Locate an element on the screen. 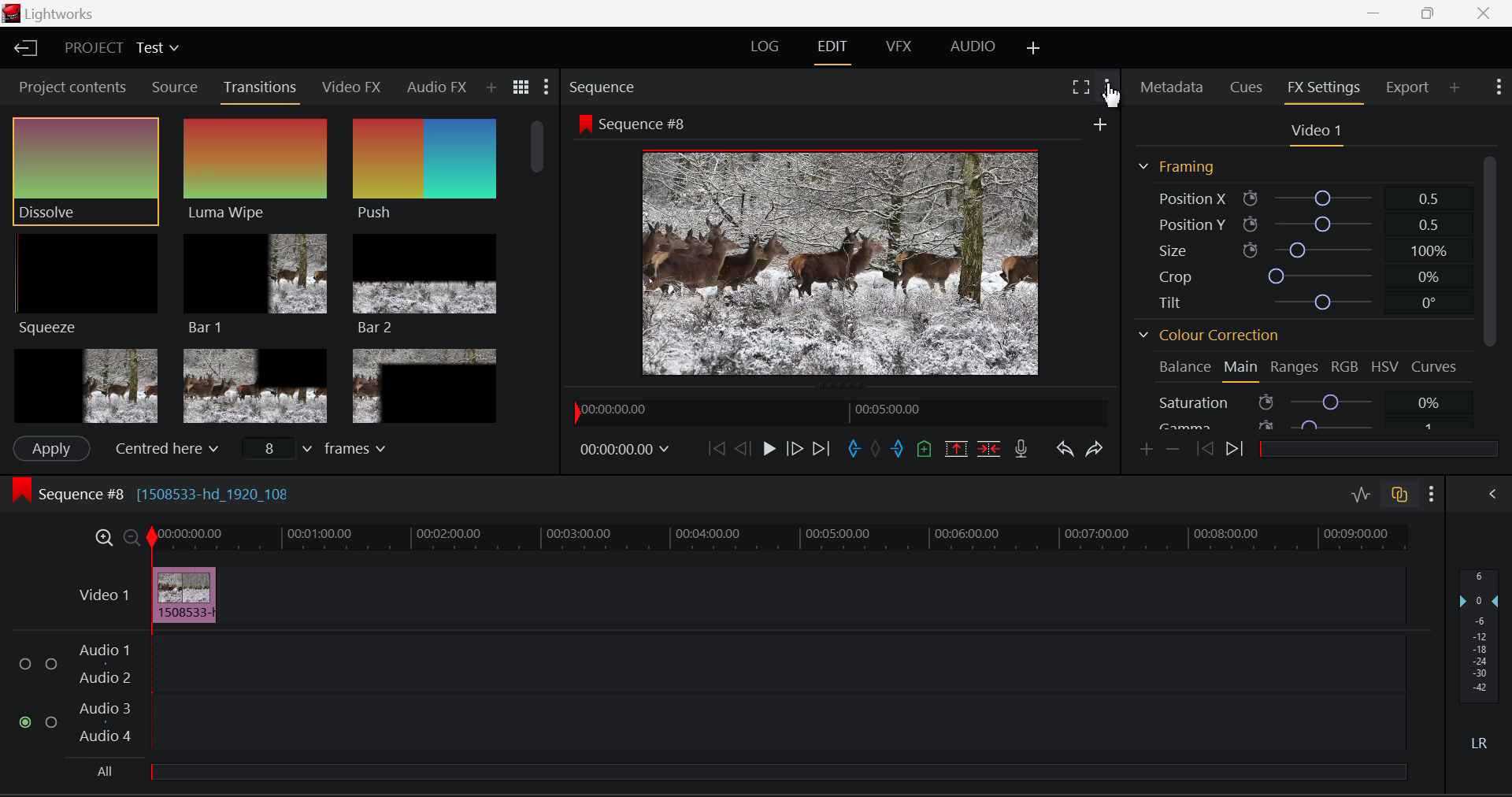 Image resolution: width=1512 pixels, height=797 pixels. Toggle auto track sync is located at coordinates (1400, 495).